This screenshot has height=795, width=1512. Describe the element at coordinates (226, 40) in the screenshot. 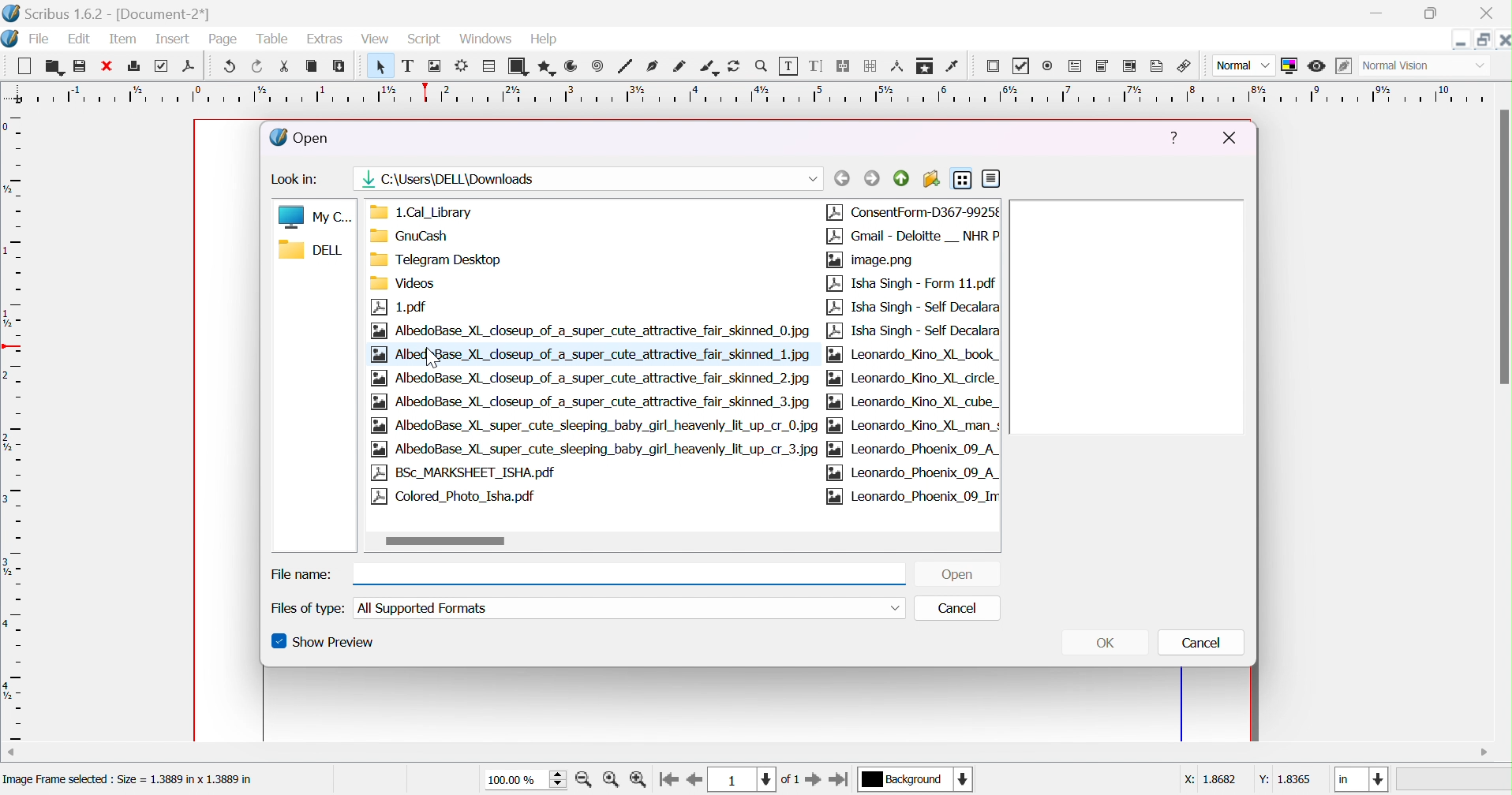

I see `page` at that location.